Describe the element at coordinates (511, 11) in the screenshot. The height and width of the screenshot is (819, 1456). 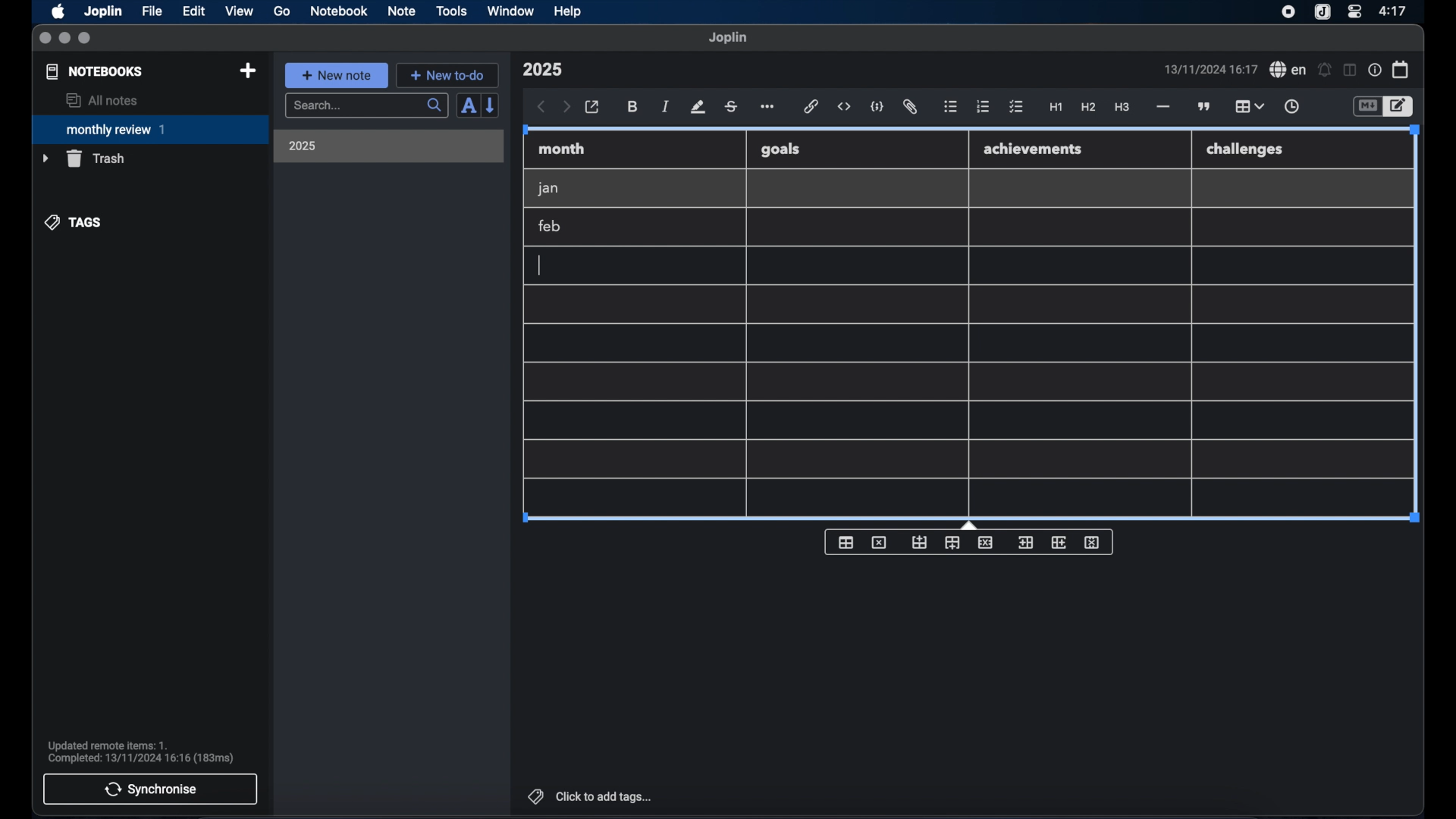
I see `window` at that location.